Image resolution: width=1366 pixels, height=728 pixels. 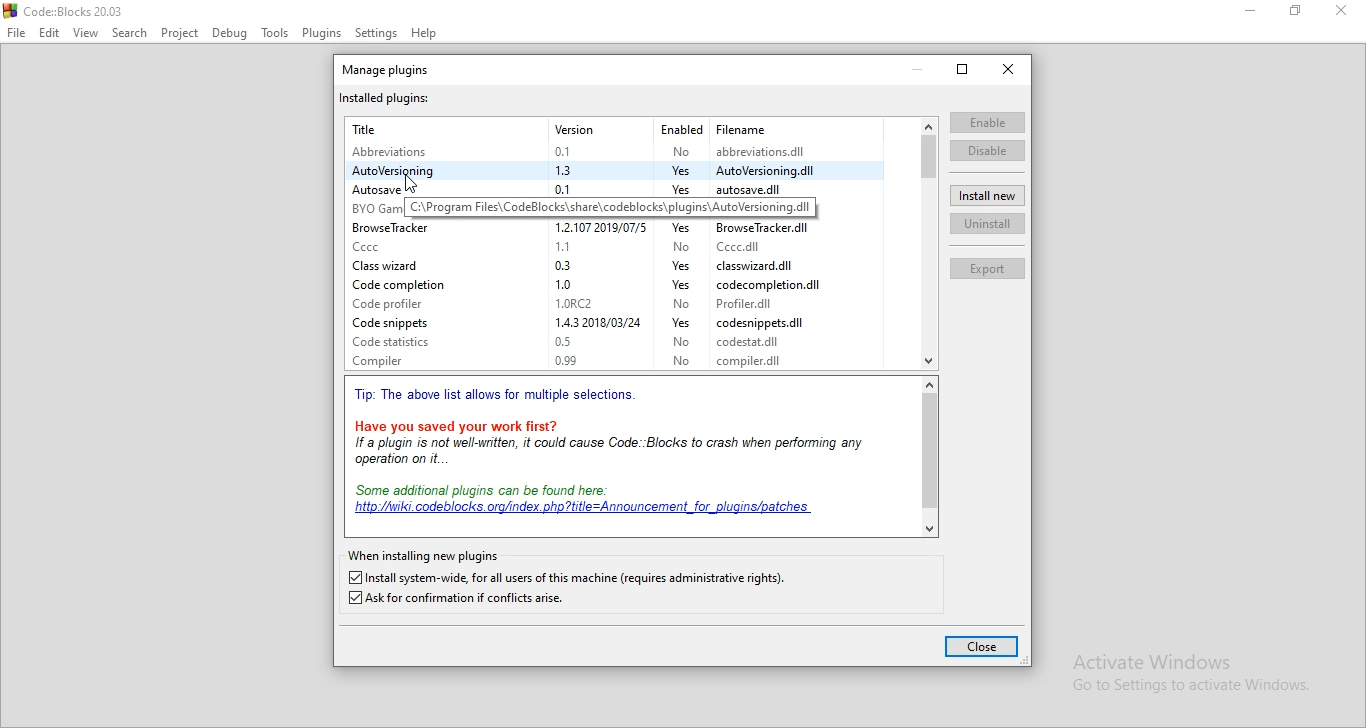 What do you see at coordinates (398, 152) in the screenshot?
I see `Abbreviations` at bounding box center [398, 152].